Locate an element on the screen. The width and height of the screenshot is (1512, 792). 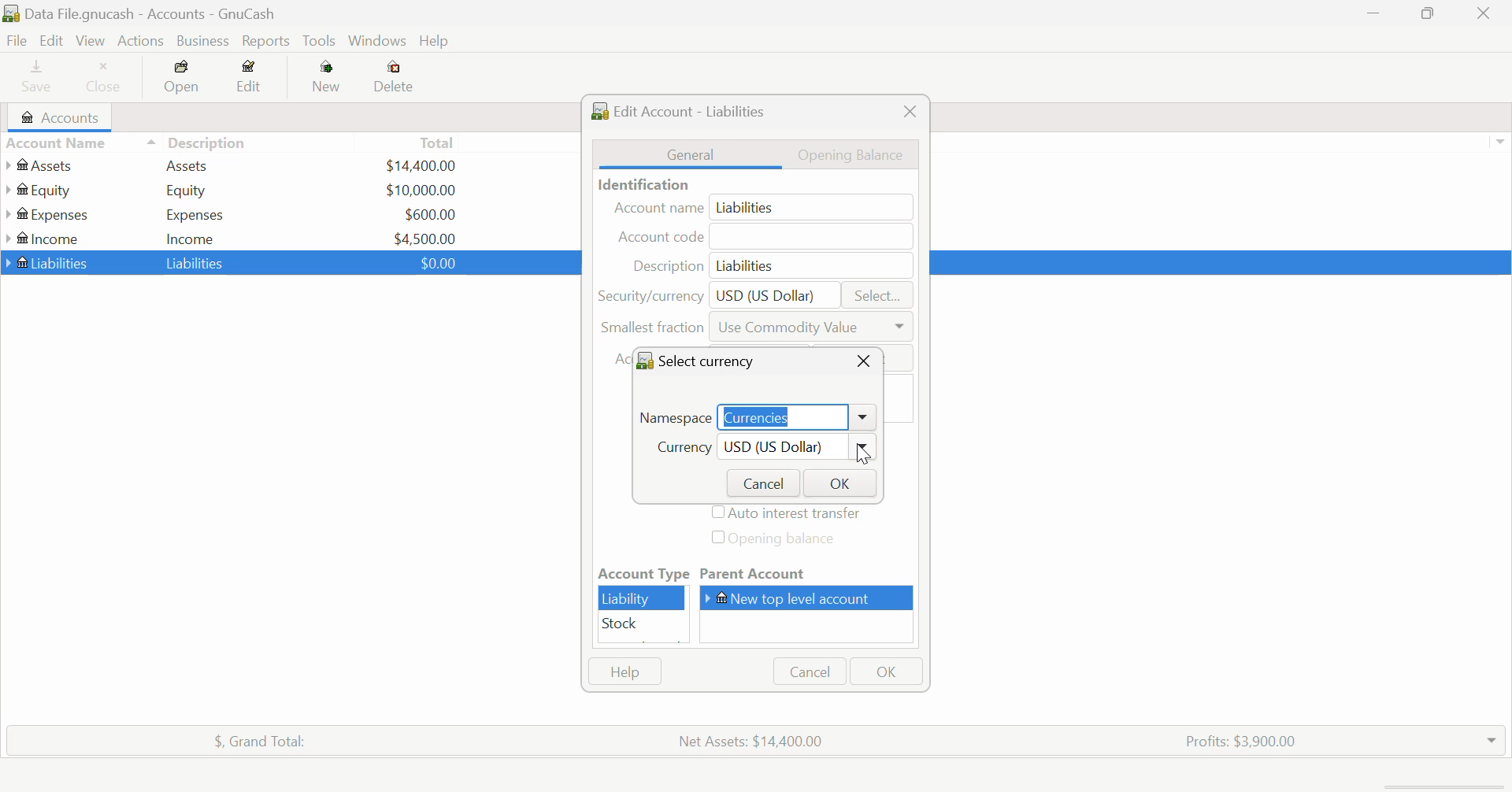
Open is located at coordinates (183, 80).